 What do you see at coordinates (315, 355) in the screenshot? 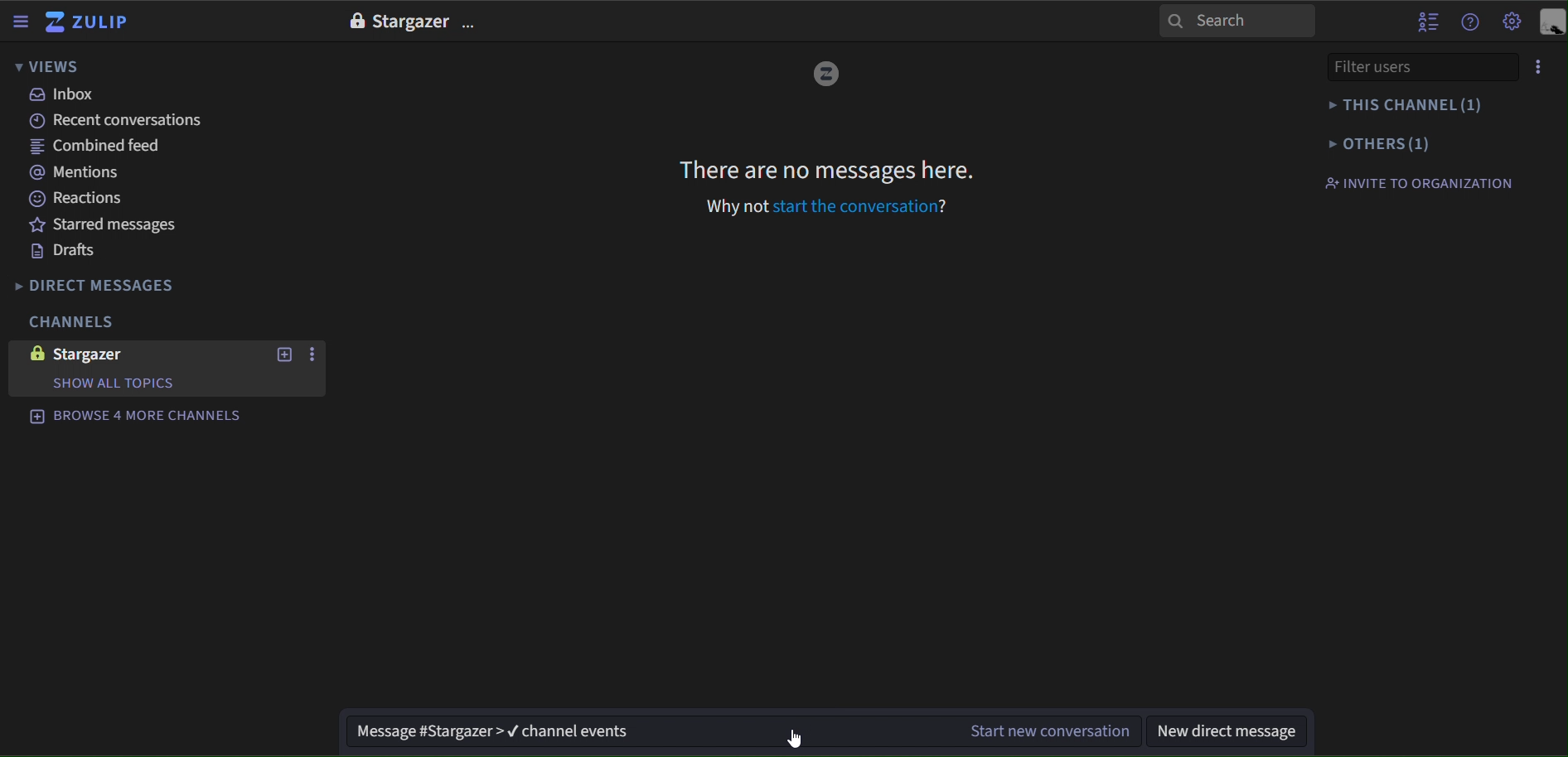
I see `options` at bounding box center [315, 355].